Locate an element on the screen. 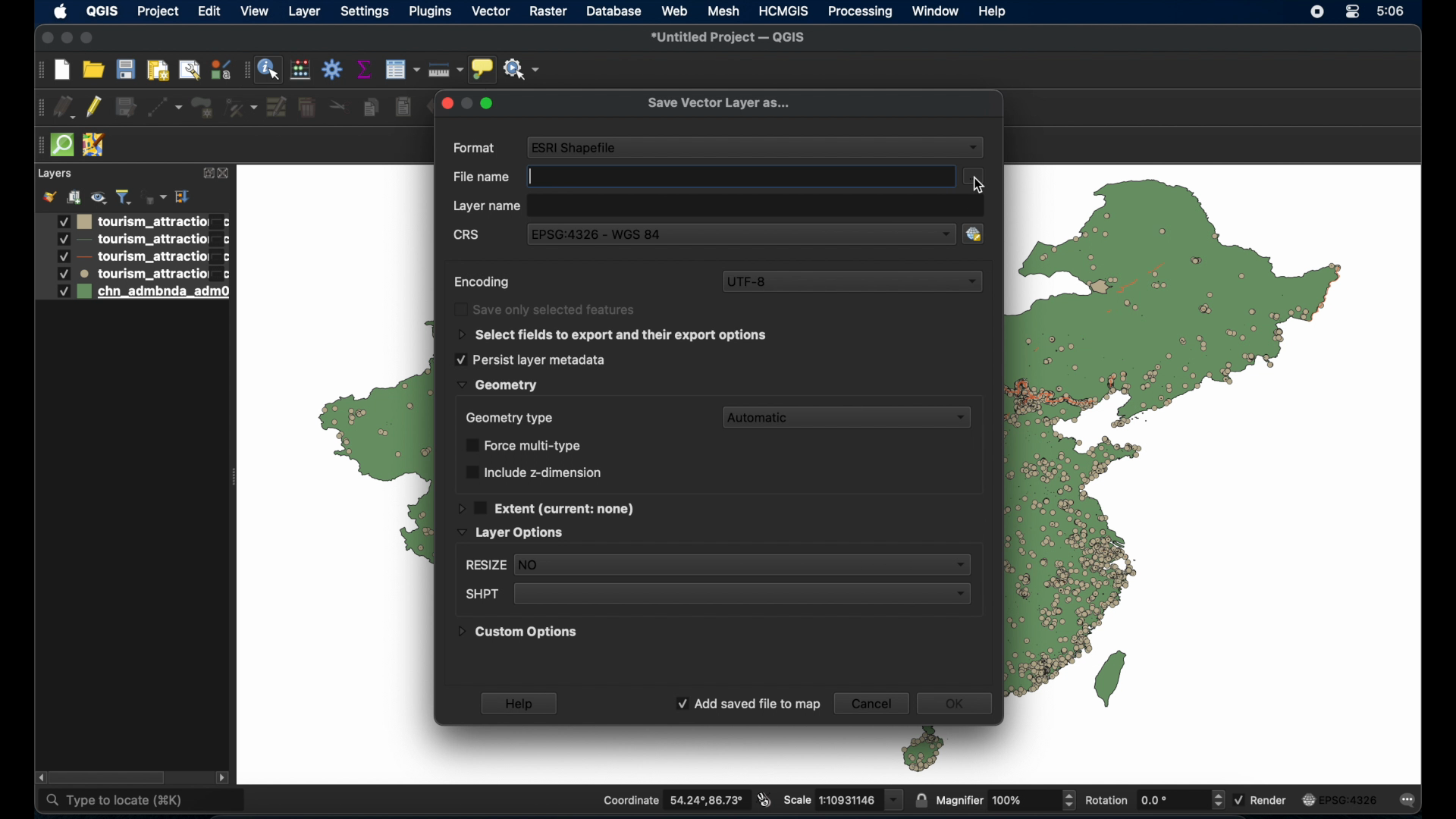 The image size is (1456, 819). measure line is located at coordinates (446, 68).